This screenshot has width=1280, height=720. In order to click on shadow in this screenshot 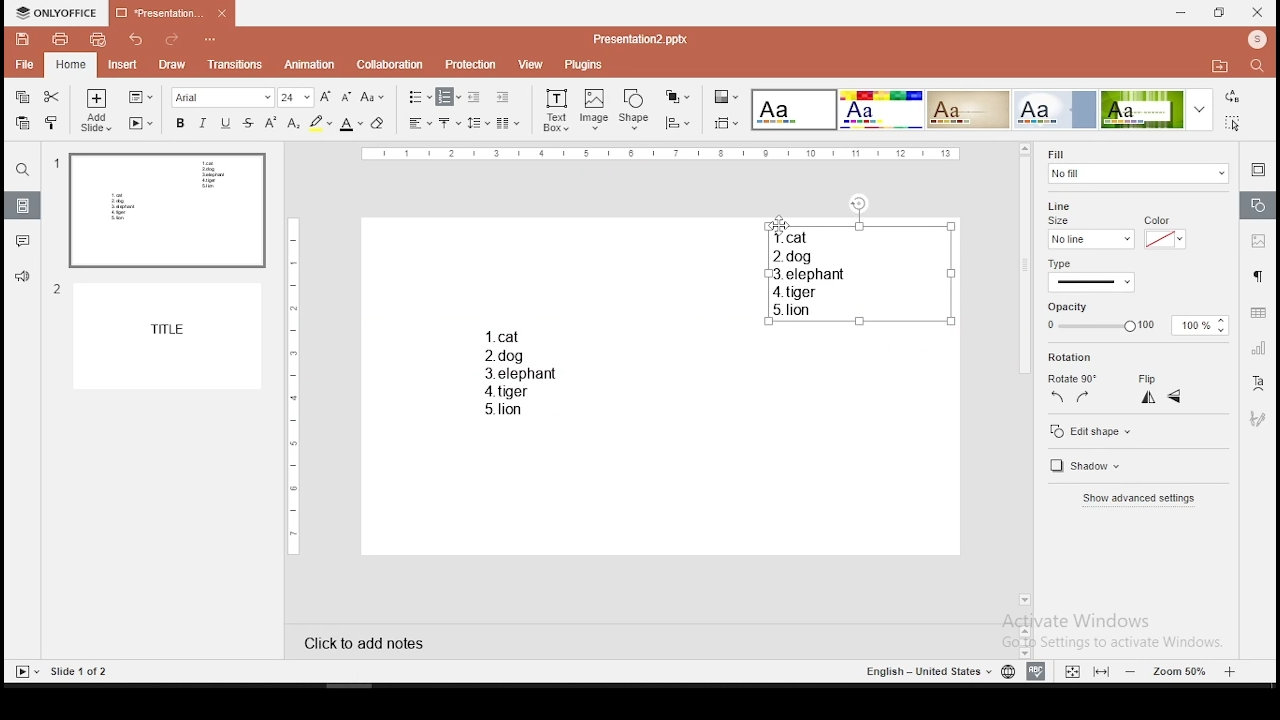, I will do `click(1098, 467)`.